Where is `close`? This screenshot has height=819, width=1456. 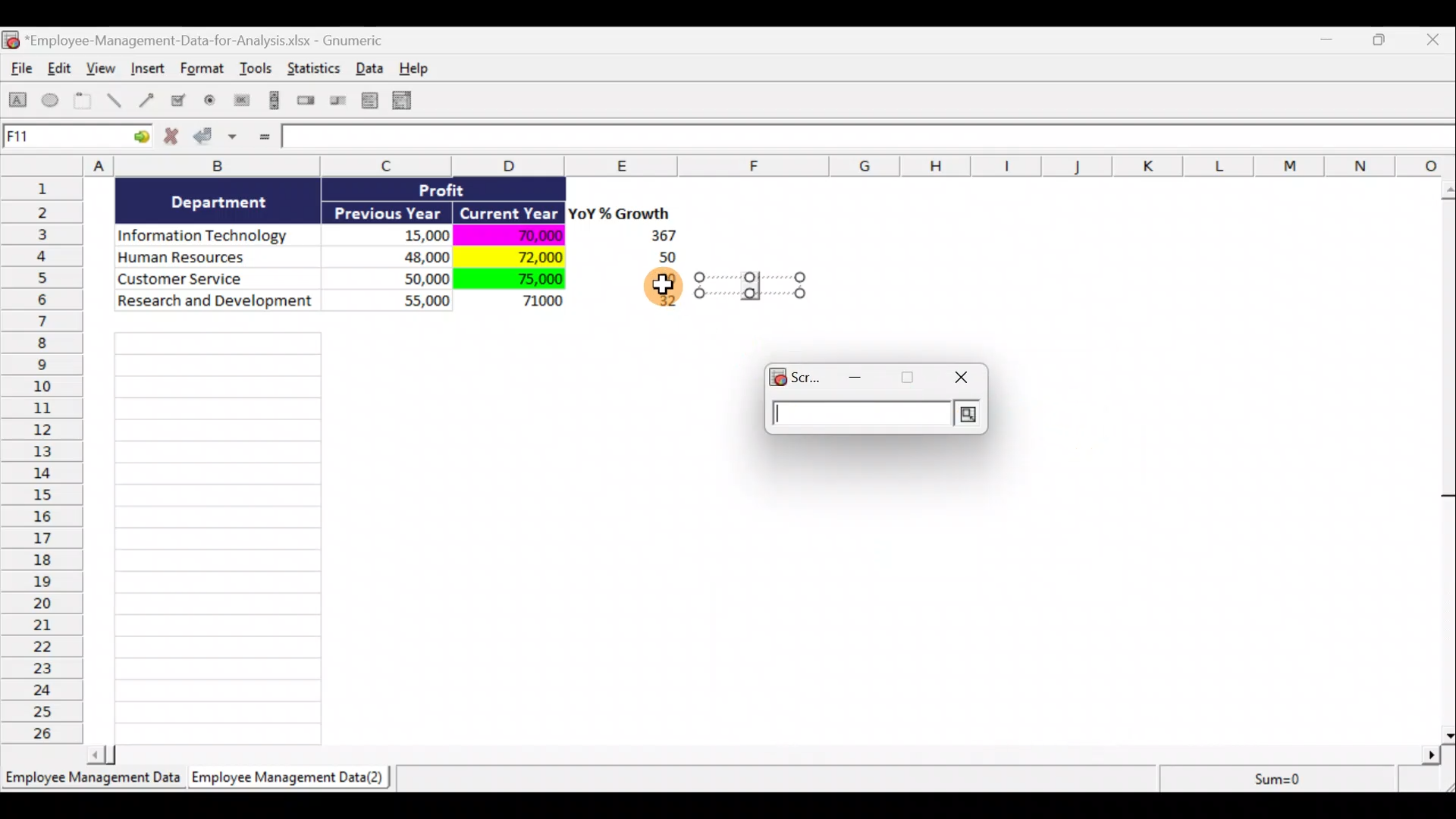 close is located at coordinates (962, 378).